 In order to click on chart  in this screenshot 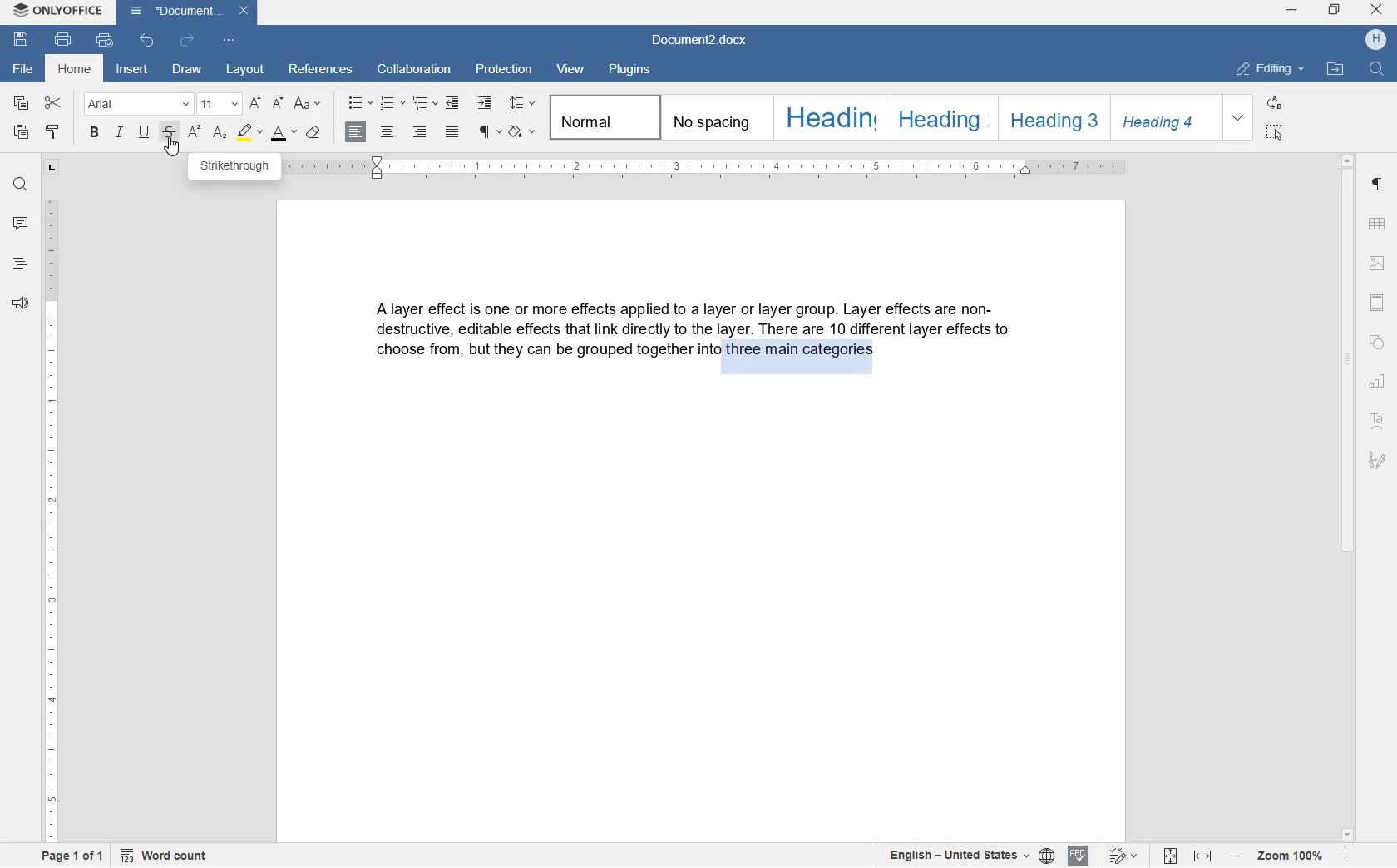, I will do `click(1380, 383)`.